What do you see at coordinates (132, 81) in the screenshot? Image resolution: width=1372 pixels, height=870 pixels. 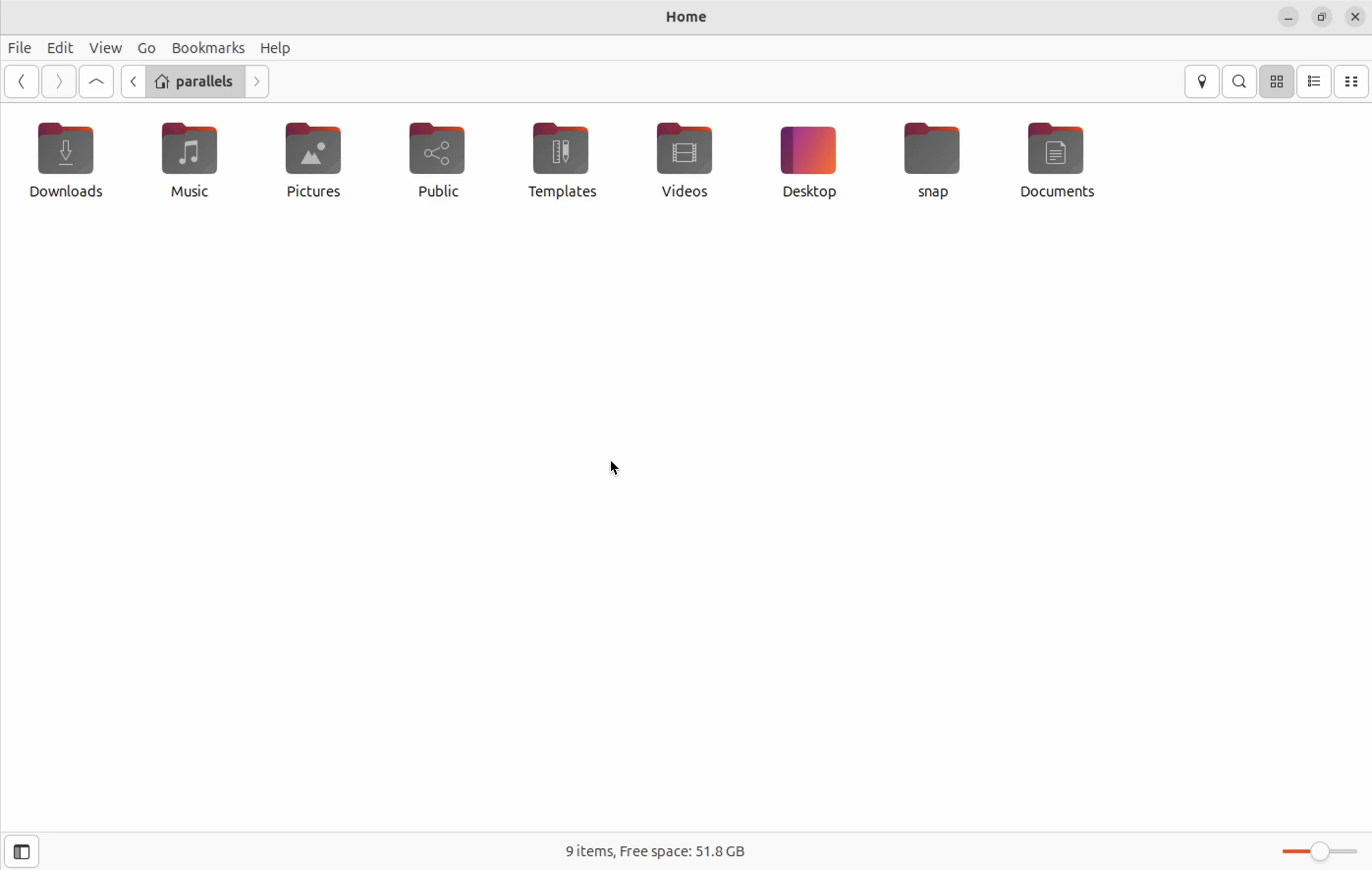 I see `go back` at bounding box center [132, 81].